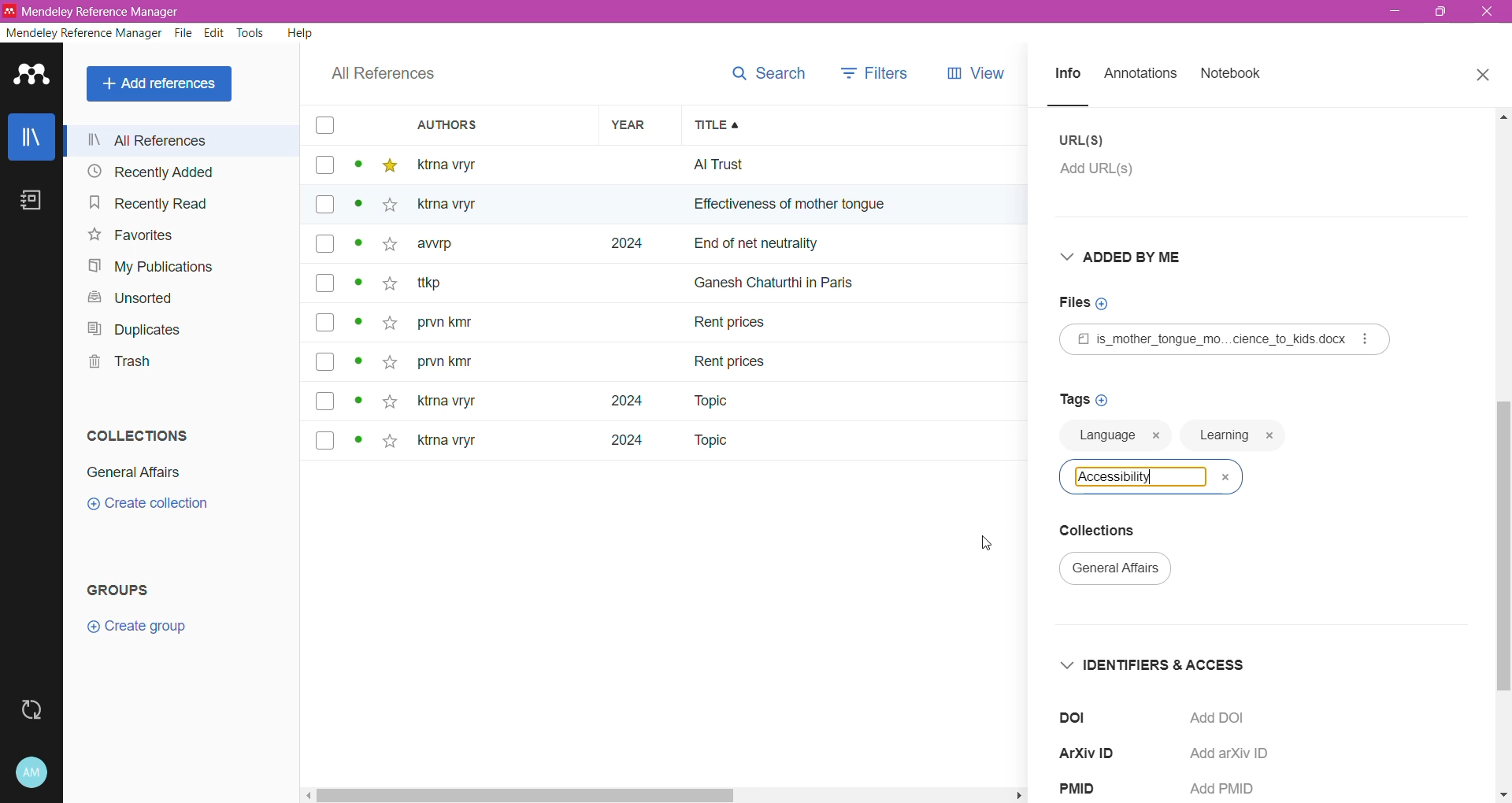  Describe the element at coordinates (1132, 257) in the screenshot. I see `Added By Me` at that location.